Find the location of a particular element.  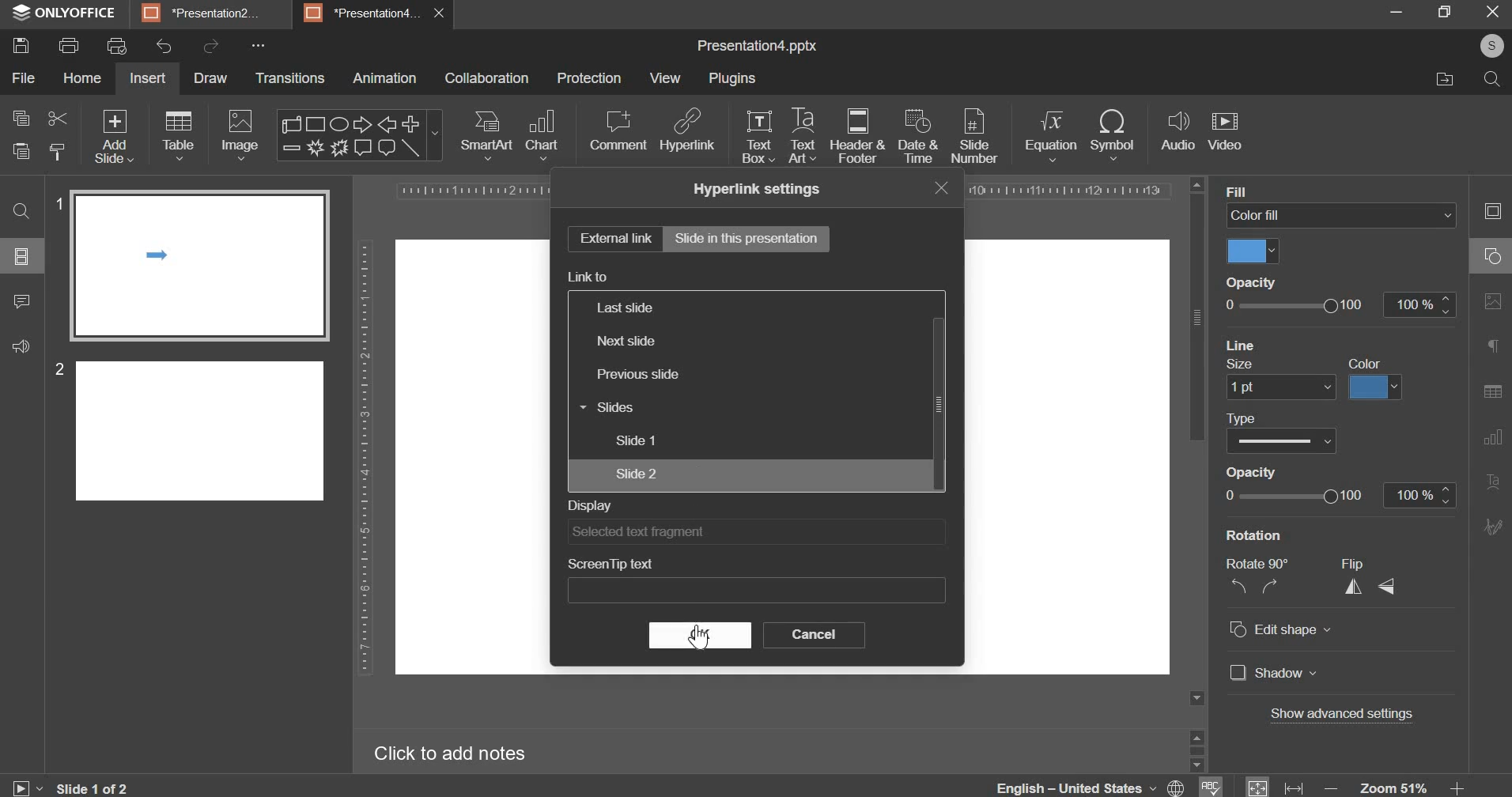

paste is located at coordinates (19, 151).